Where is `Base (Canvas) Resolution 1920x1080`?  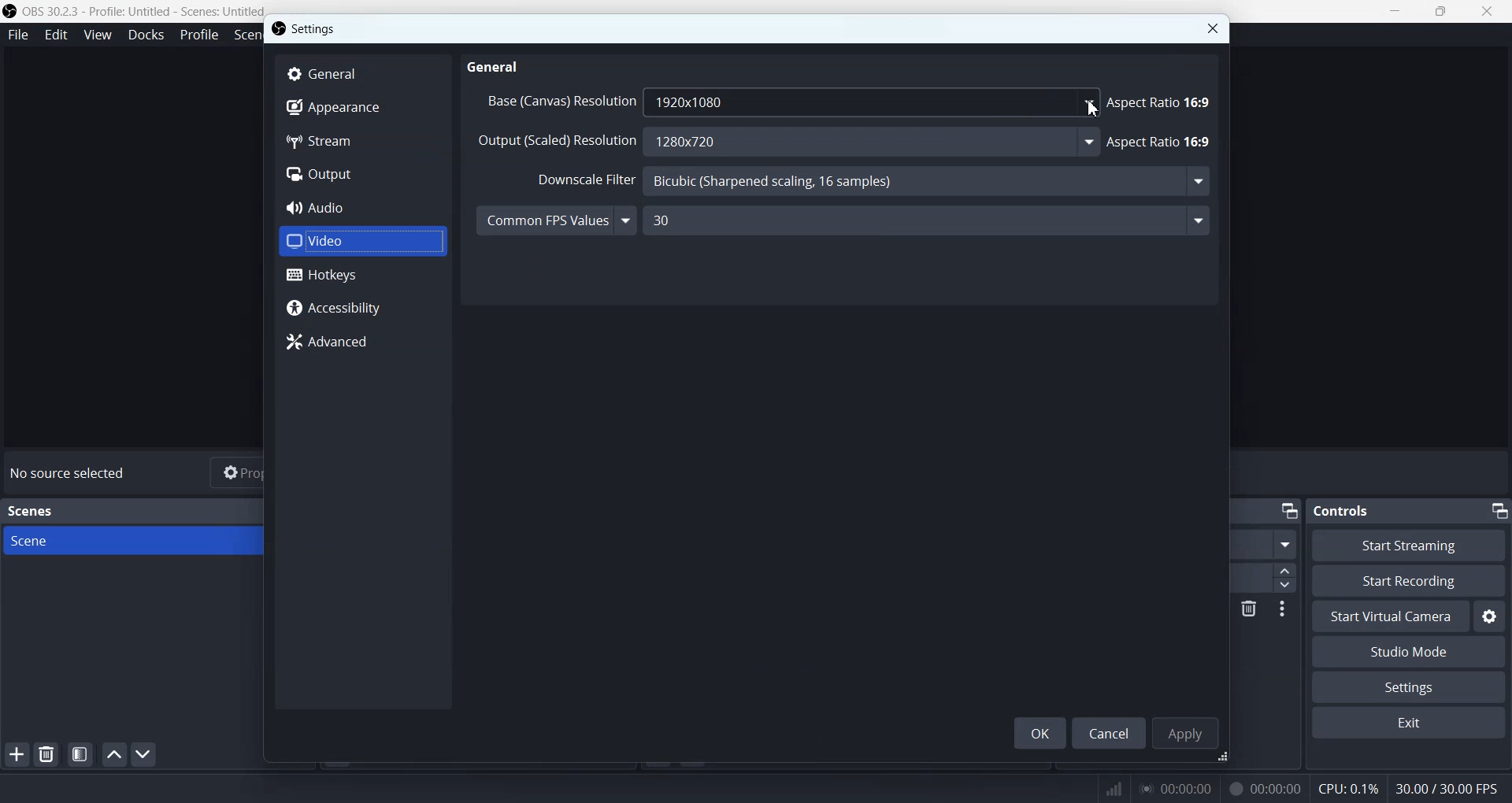 Base (Canvas) Resolution 1920x1080 is located at coordinates (790, 103).